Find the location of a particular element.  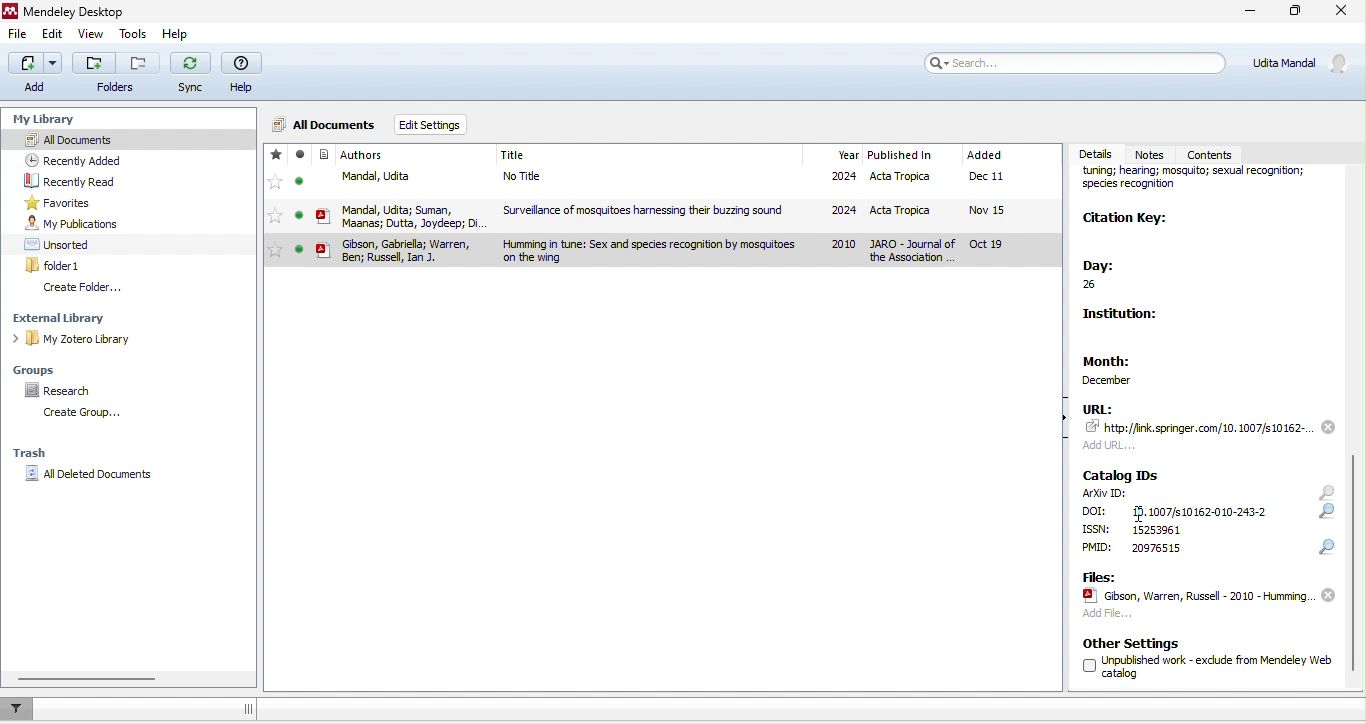

add is located at coordinates (1114, 444).